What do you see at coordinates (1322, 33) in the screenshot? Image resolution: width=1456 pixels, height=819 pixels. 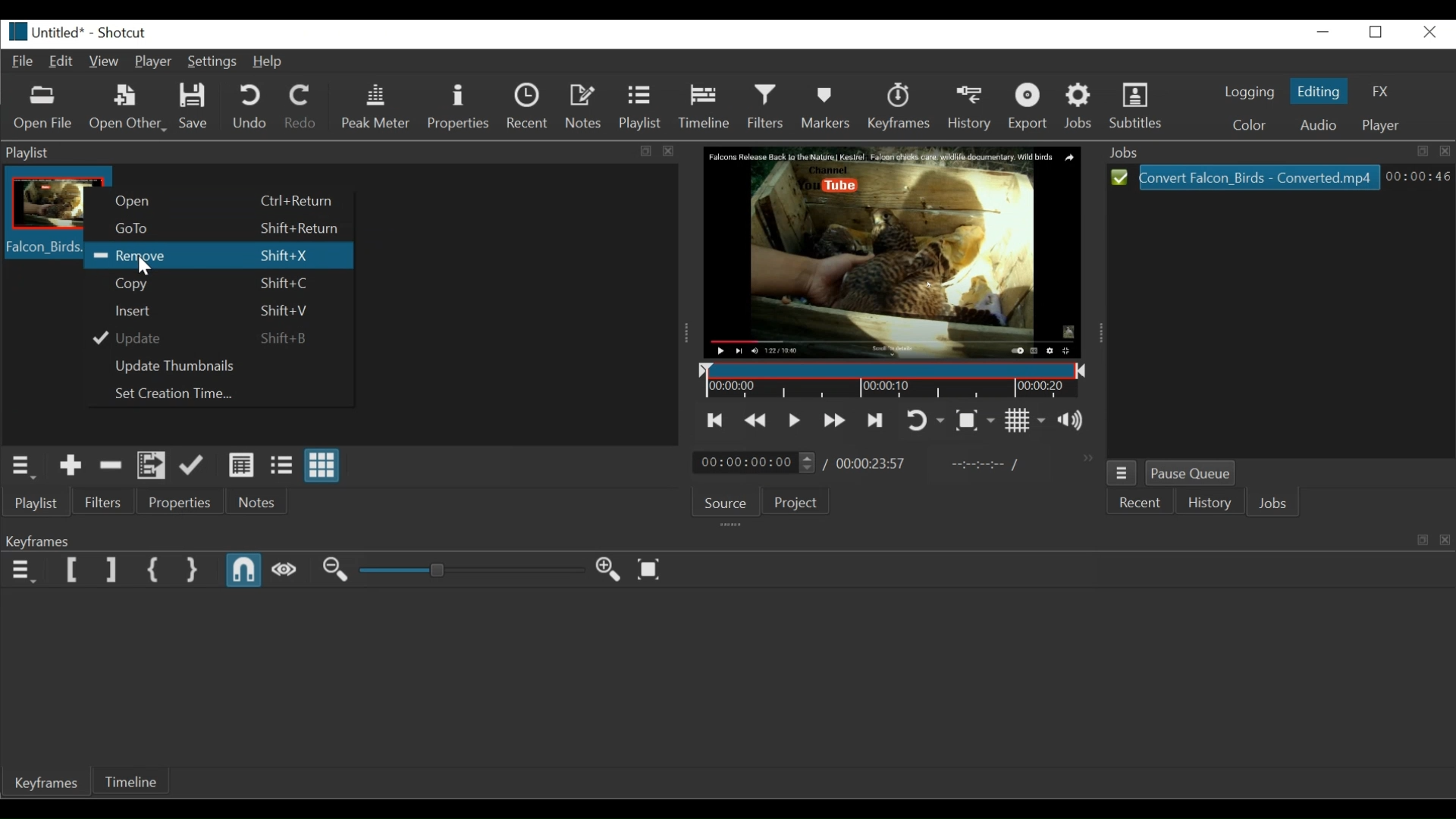 I see `minimize` at bounding box center [1322, 33].